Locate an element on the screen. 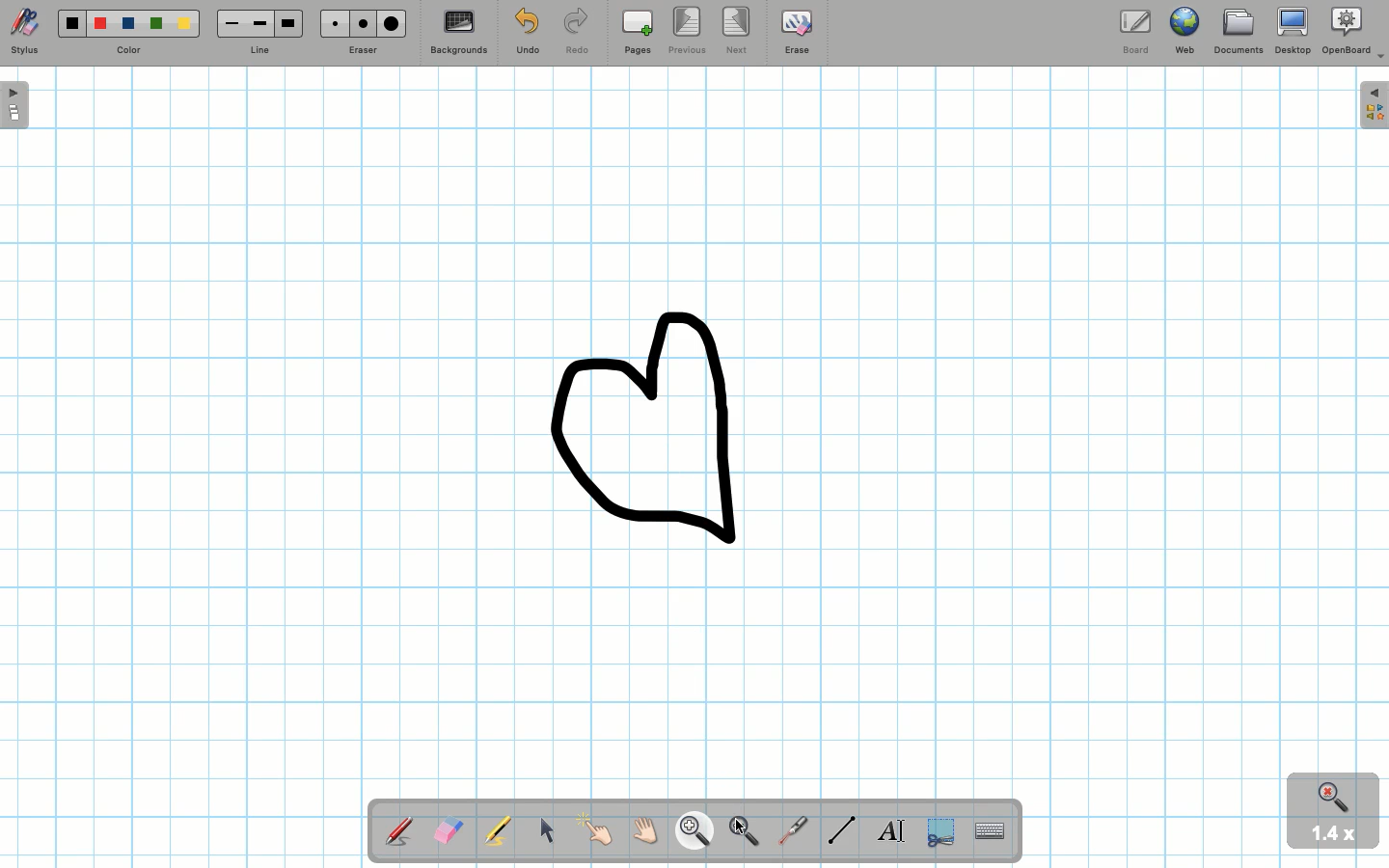  Backgrounds is located at coordinates (459, 32).